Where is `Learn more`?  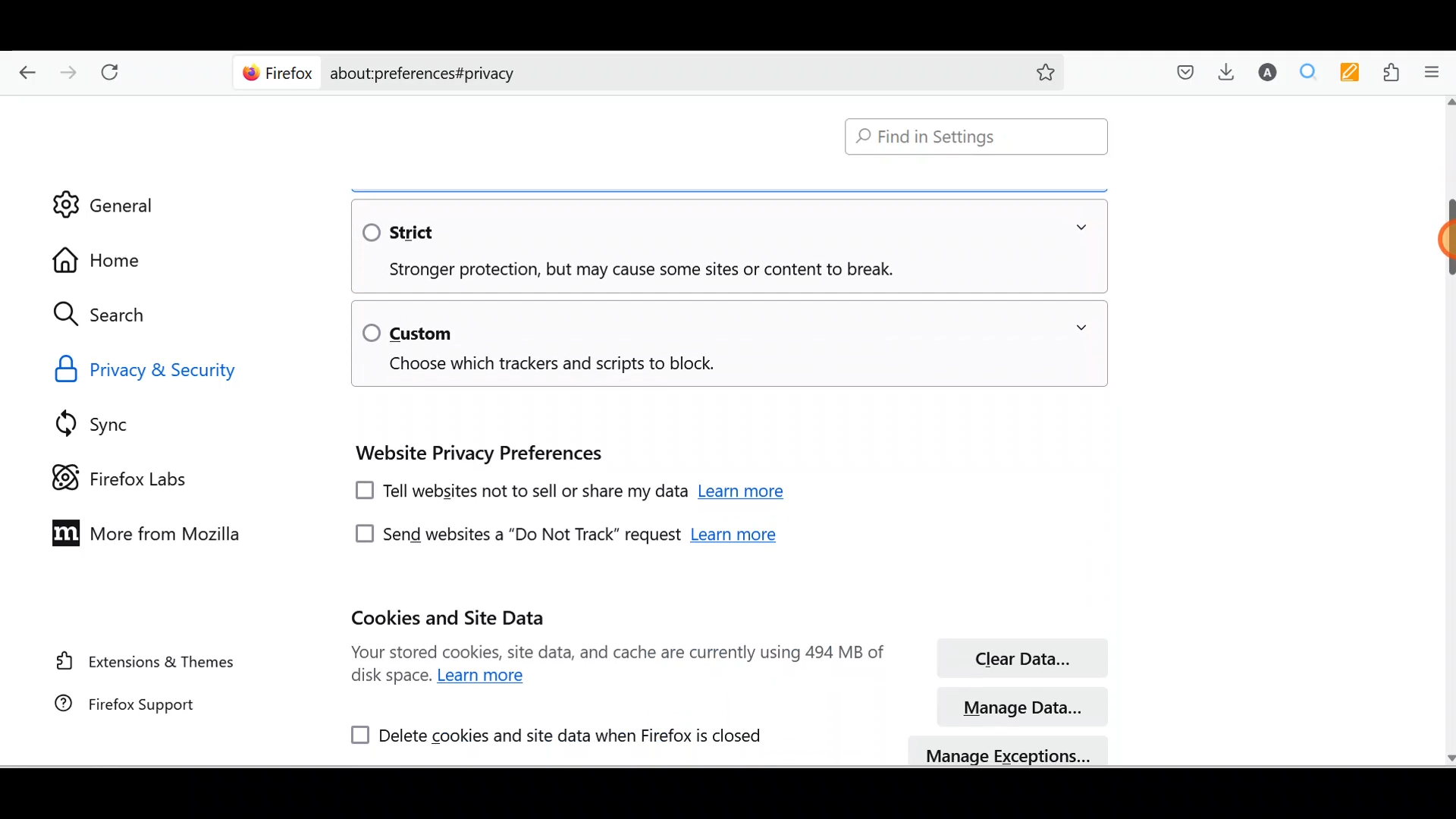
Learn more is located at coordinates (734, 537).